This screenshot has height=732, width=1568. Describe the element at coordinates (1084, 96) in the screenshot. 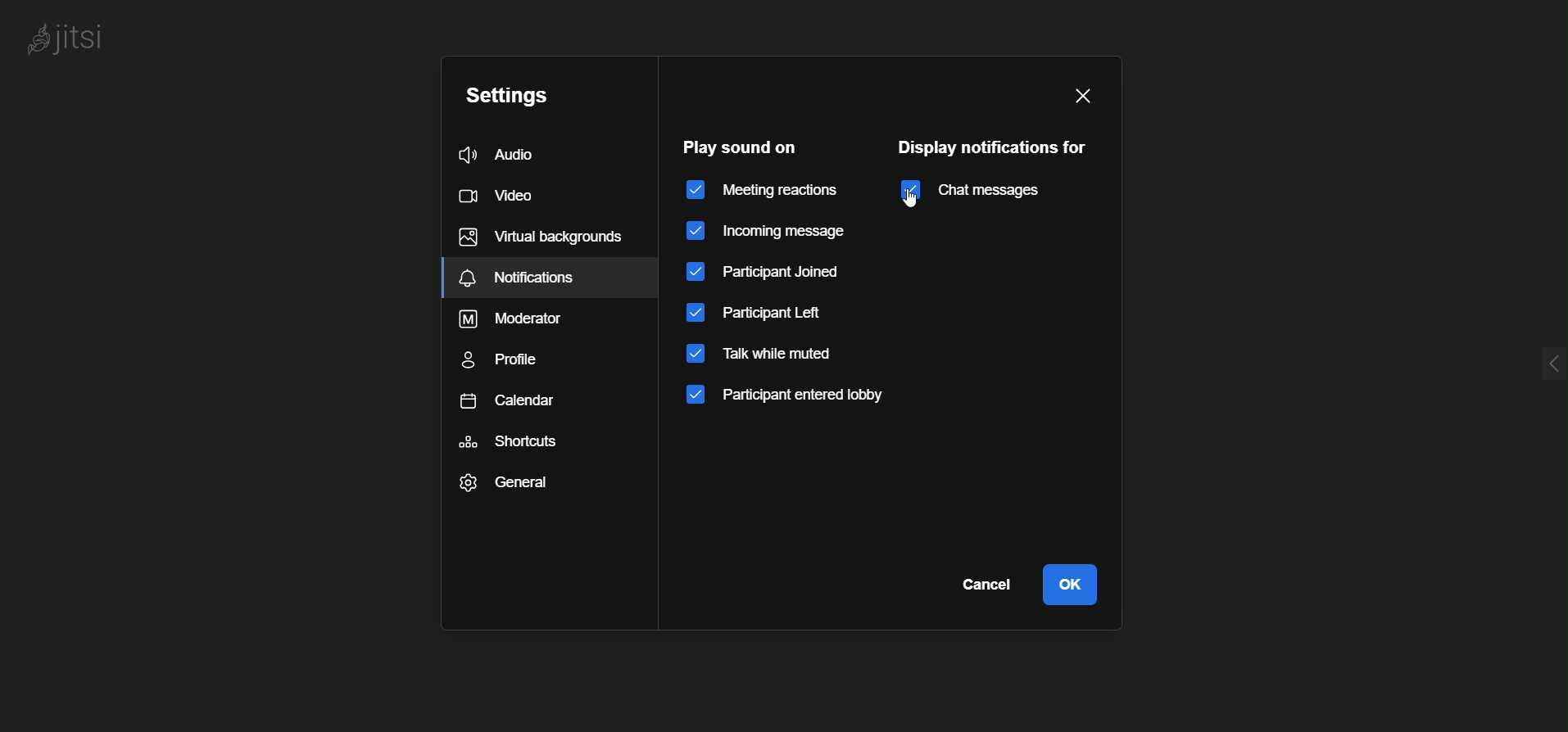

I see `close` at that location.